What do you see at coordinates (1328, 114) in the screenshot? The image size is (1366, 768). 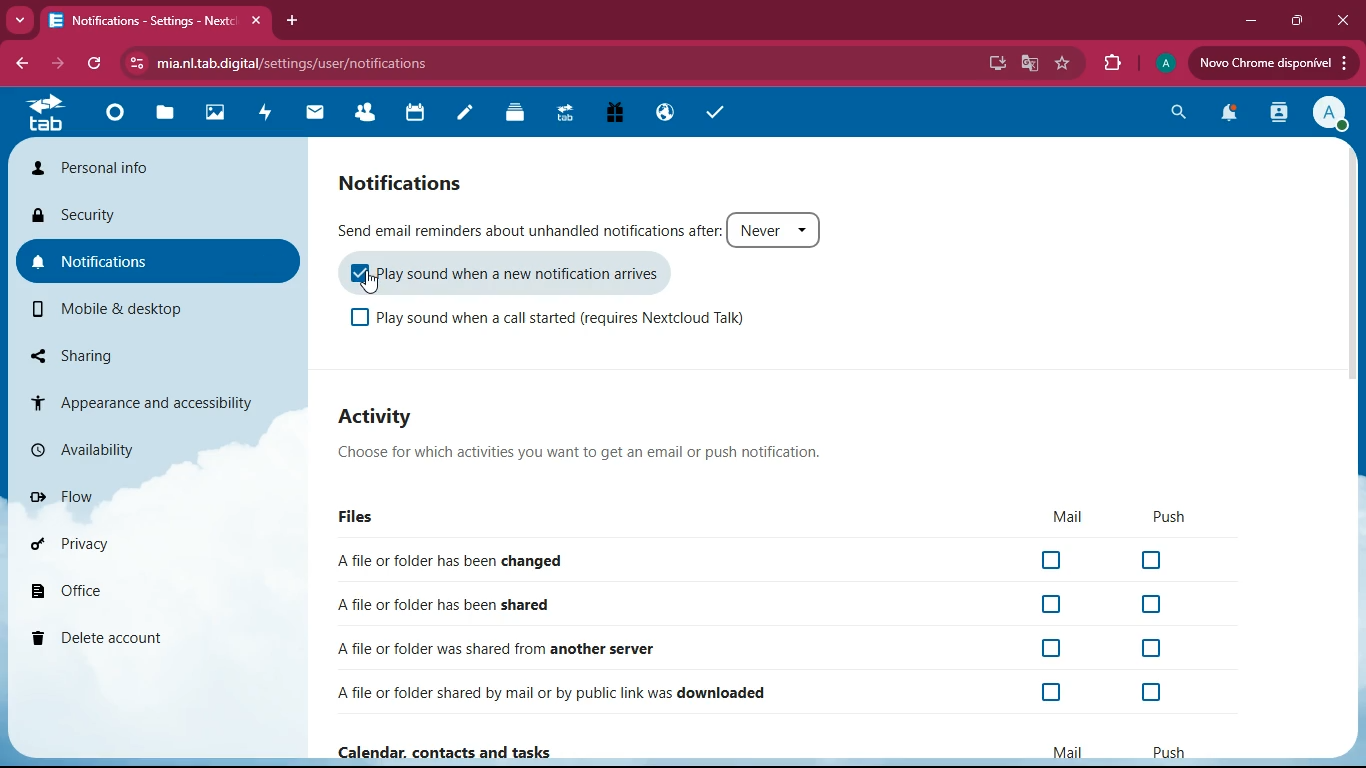 I see `profile` at bounding box center [1328, 114].